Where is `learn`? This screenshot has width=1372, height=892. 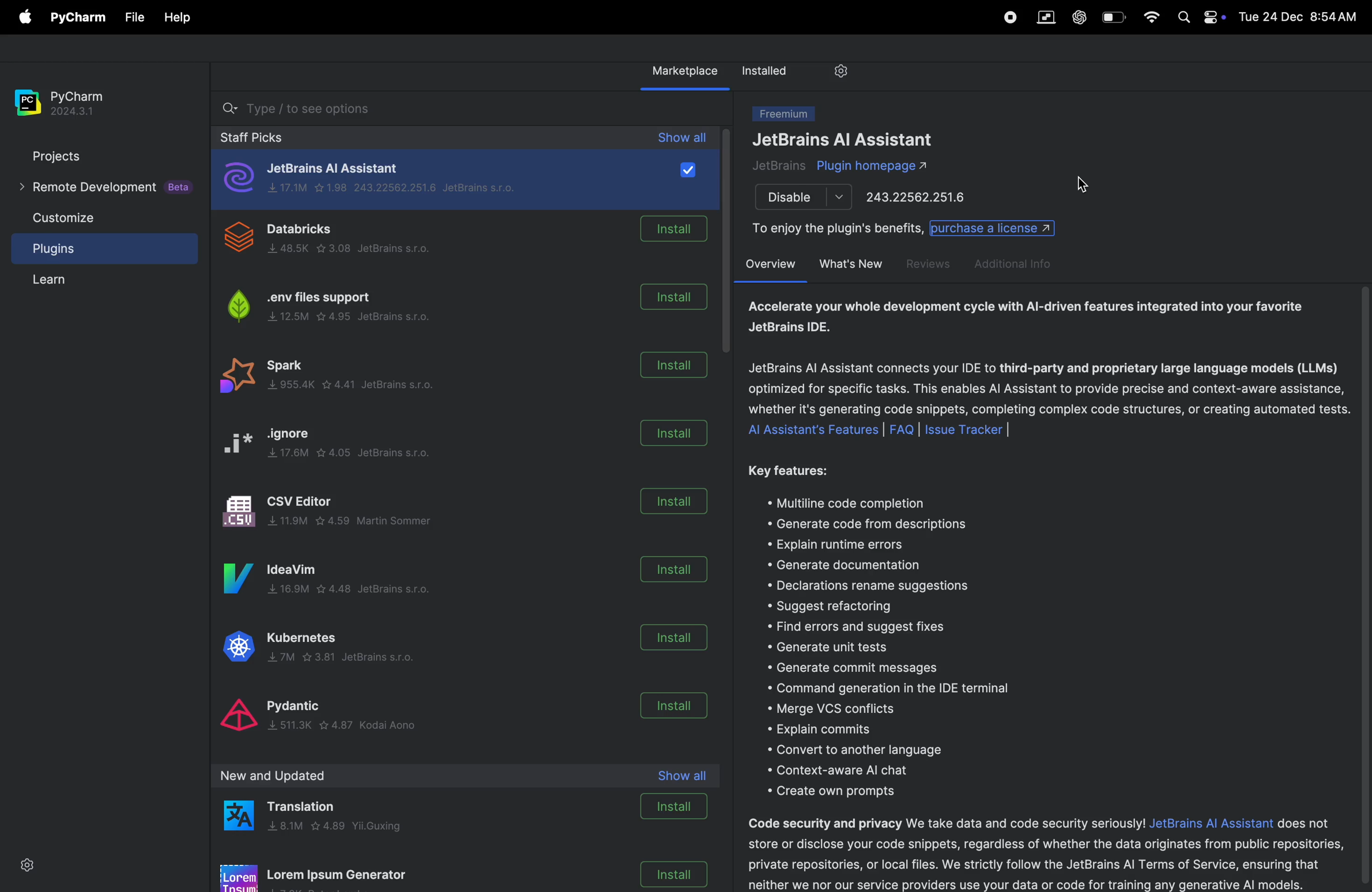
learn is located at coordinates (70, 277).